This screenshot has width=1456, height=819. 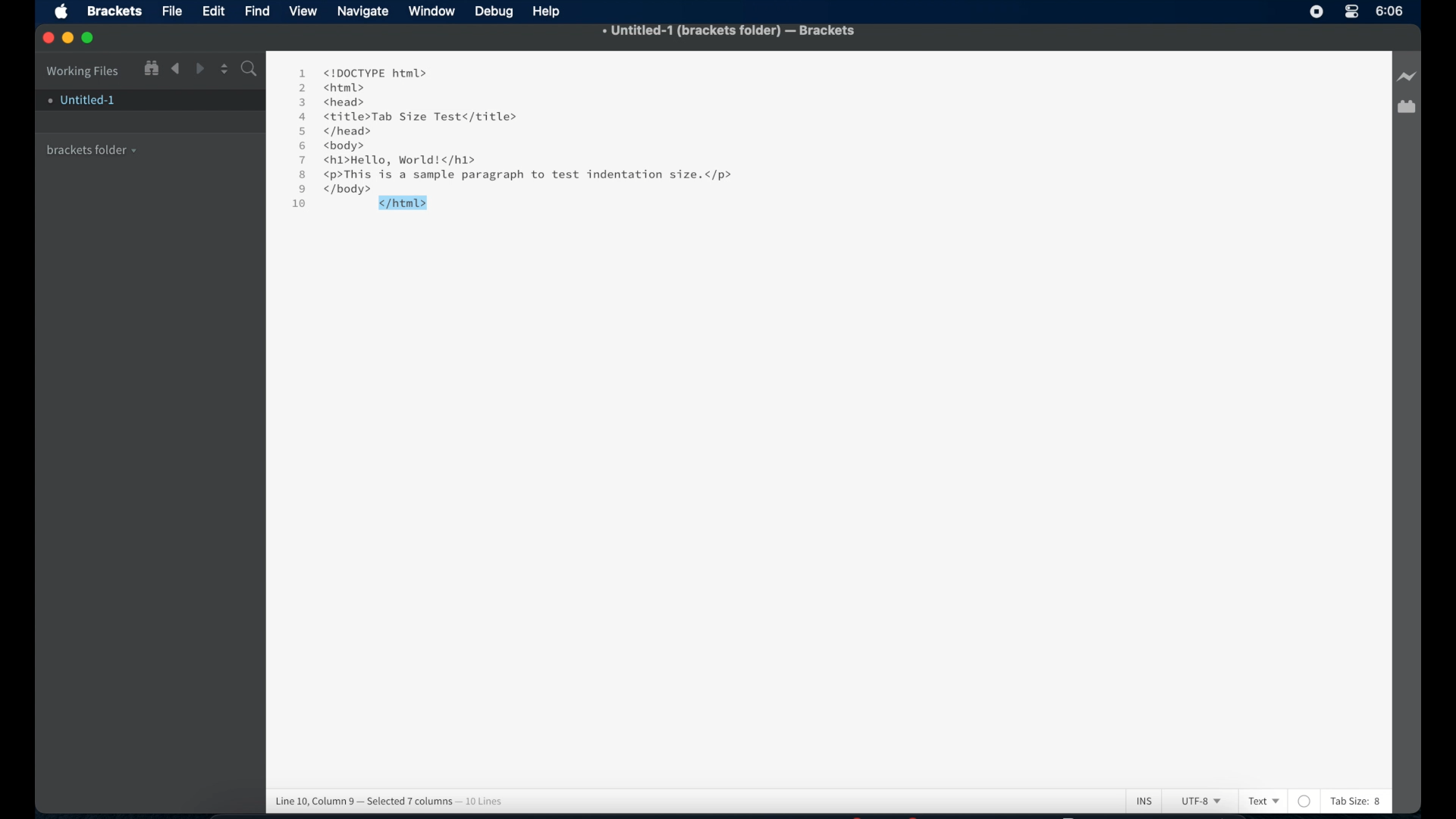 I want to click on Window, so click(x=434, y=11).